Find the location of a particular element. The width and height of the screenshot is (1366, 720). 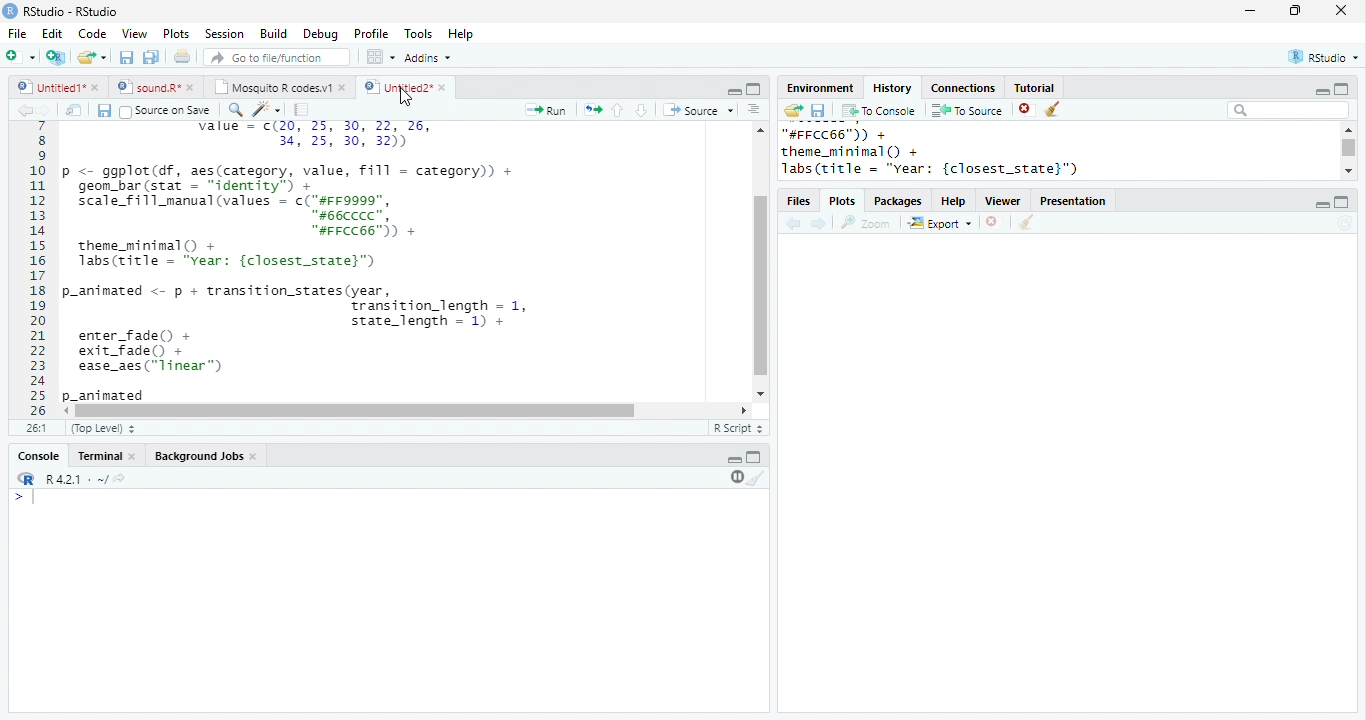

search file is located at coordinates (275, 57).